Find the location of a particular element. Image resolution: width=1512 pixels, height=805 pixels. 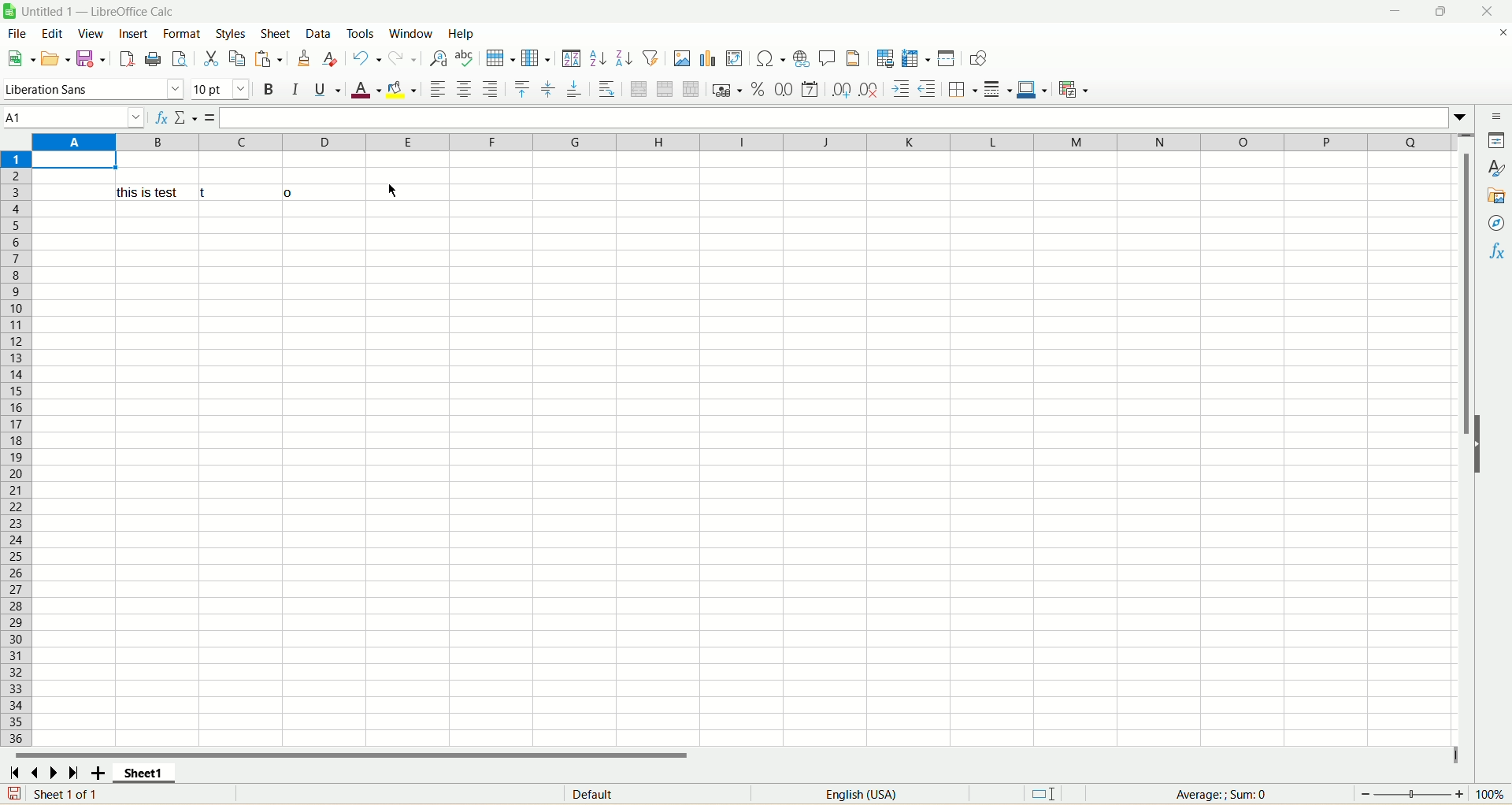

merge cells is located at coordinates (665, 91).